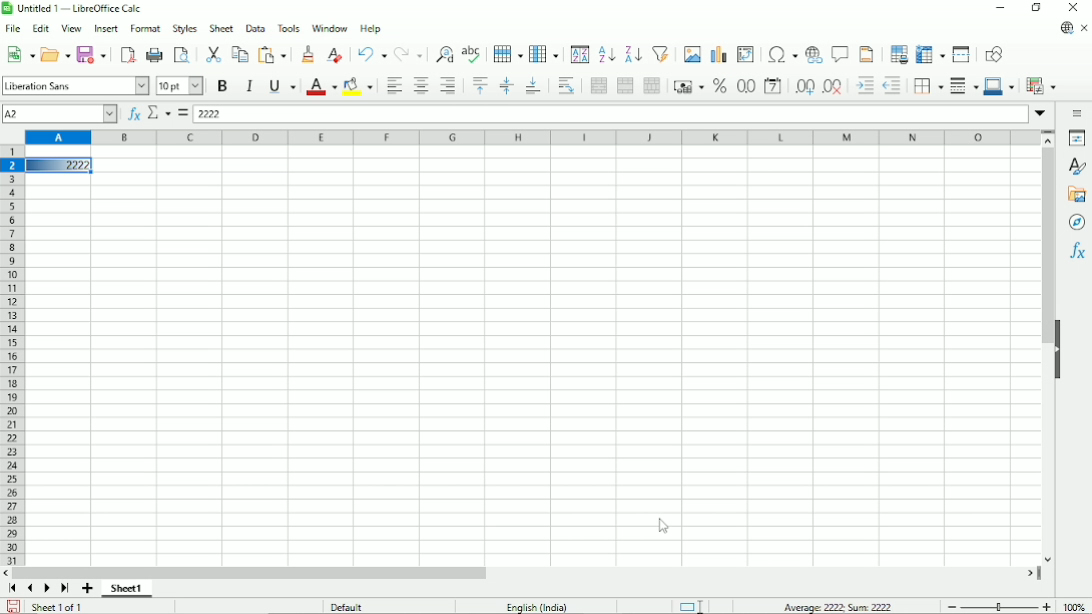 This screenshot has width=1092, height=614. What do you see at coordinates (505, 86) in the screenshot?
I see `Center vertically` at bounding box center [505, 86].